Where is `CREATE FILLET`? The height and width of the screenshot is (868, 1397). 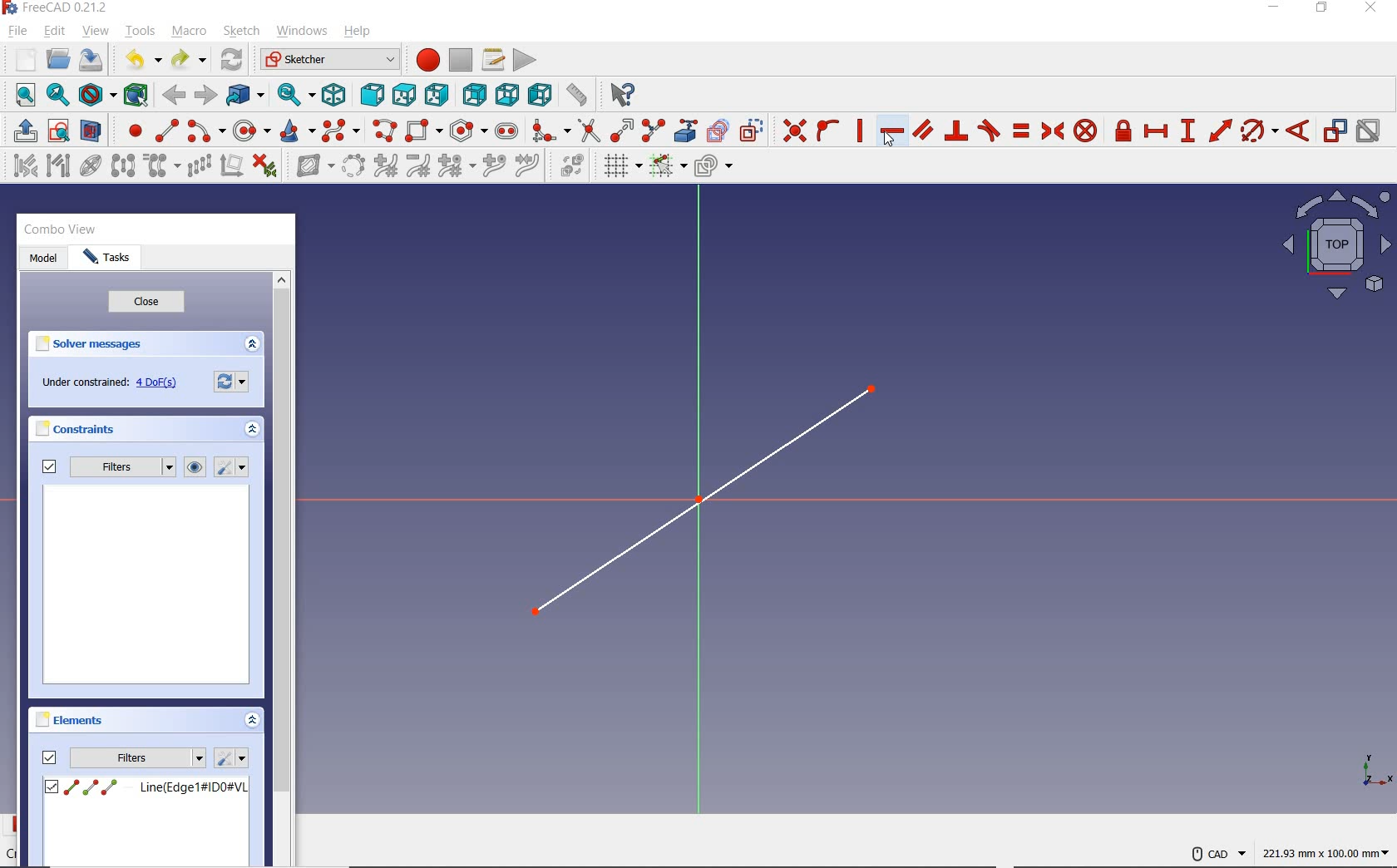 CREATE FILLET is located at coordinates (550, 129).